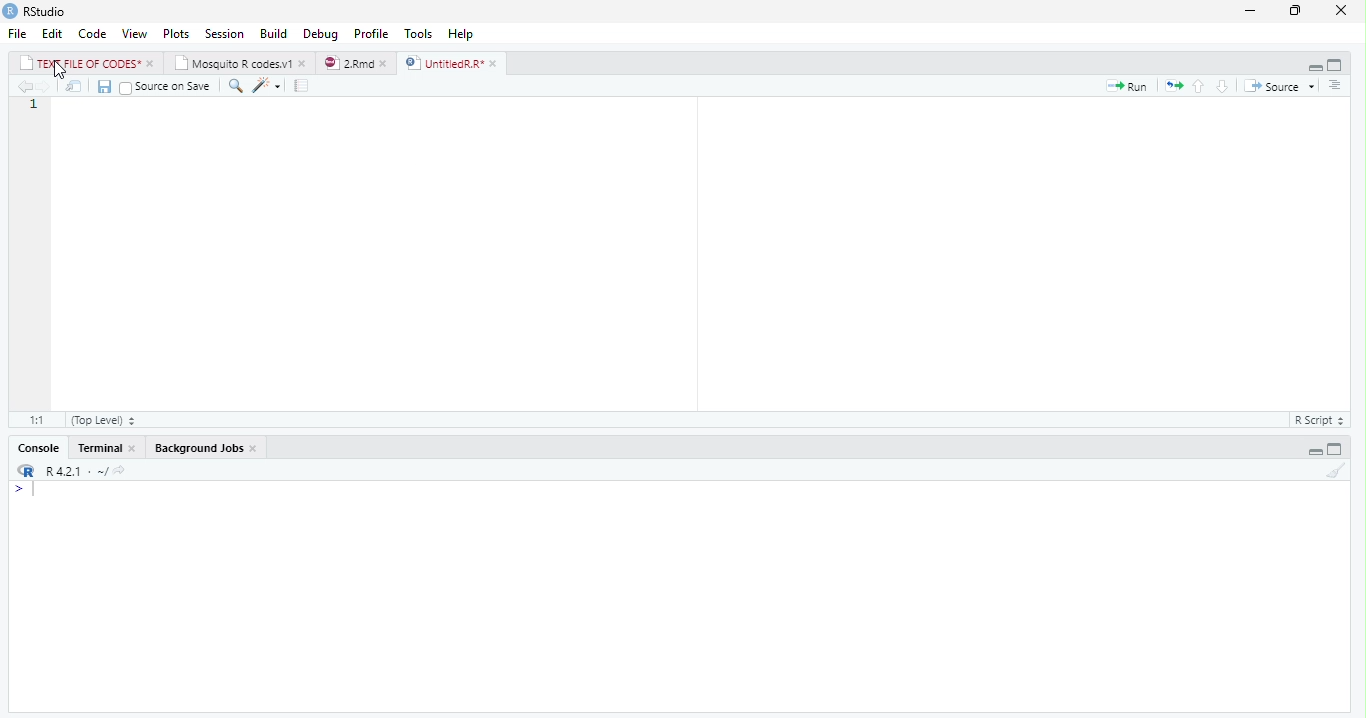  I want to click on Full Height, so click(1338, 447).